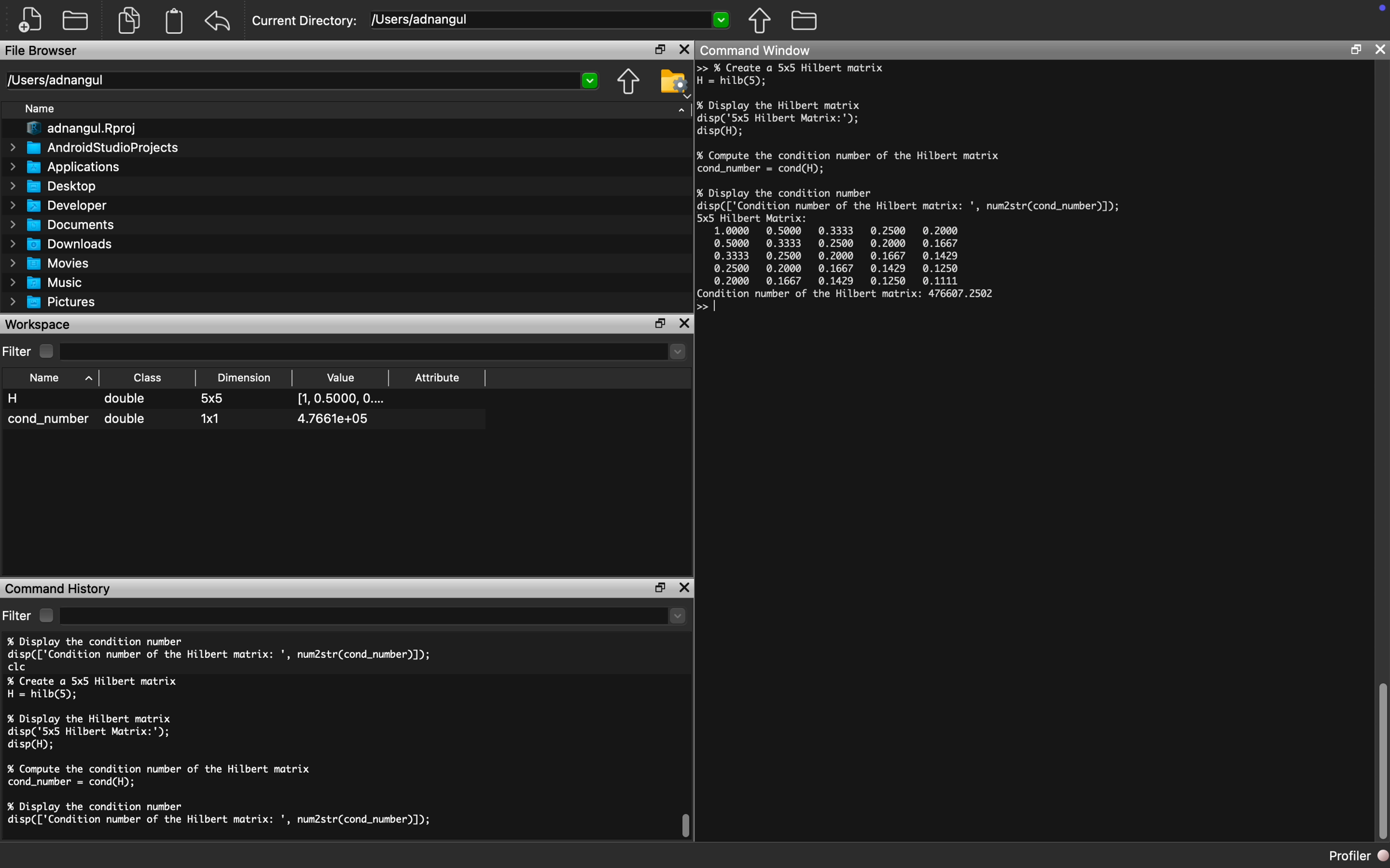  What do you see at coordinates (804, 21) in the screenshot?
I see `Folder` at bounding box center [804, 21].